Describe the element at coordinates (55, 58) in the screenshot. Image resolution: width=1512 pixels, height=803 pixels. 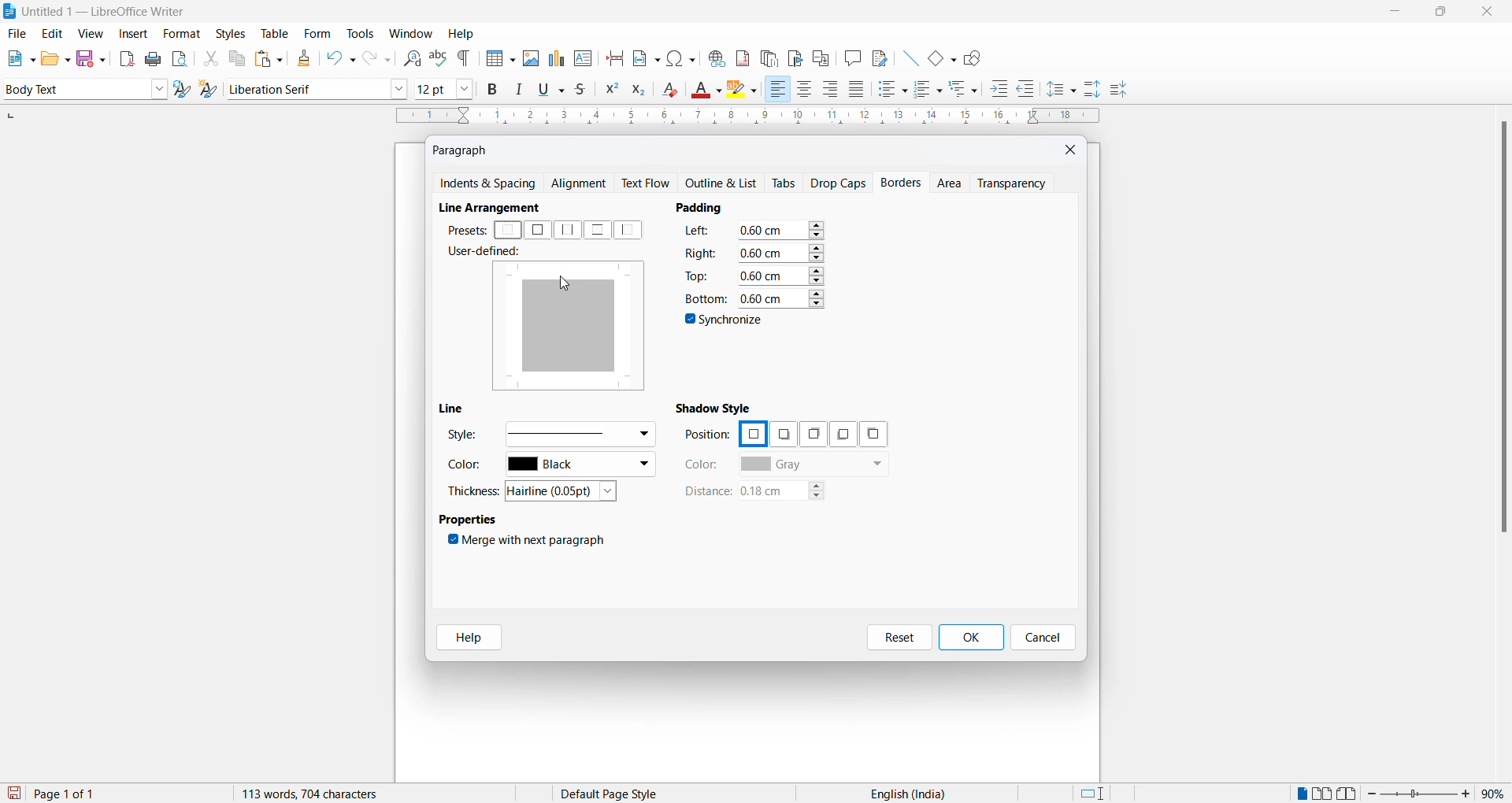
I see `open` at that location.